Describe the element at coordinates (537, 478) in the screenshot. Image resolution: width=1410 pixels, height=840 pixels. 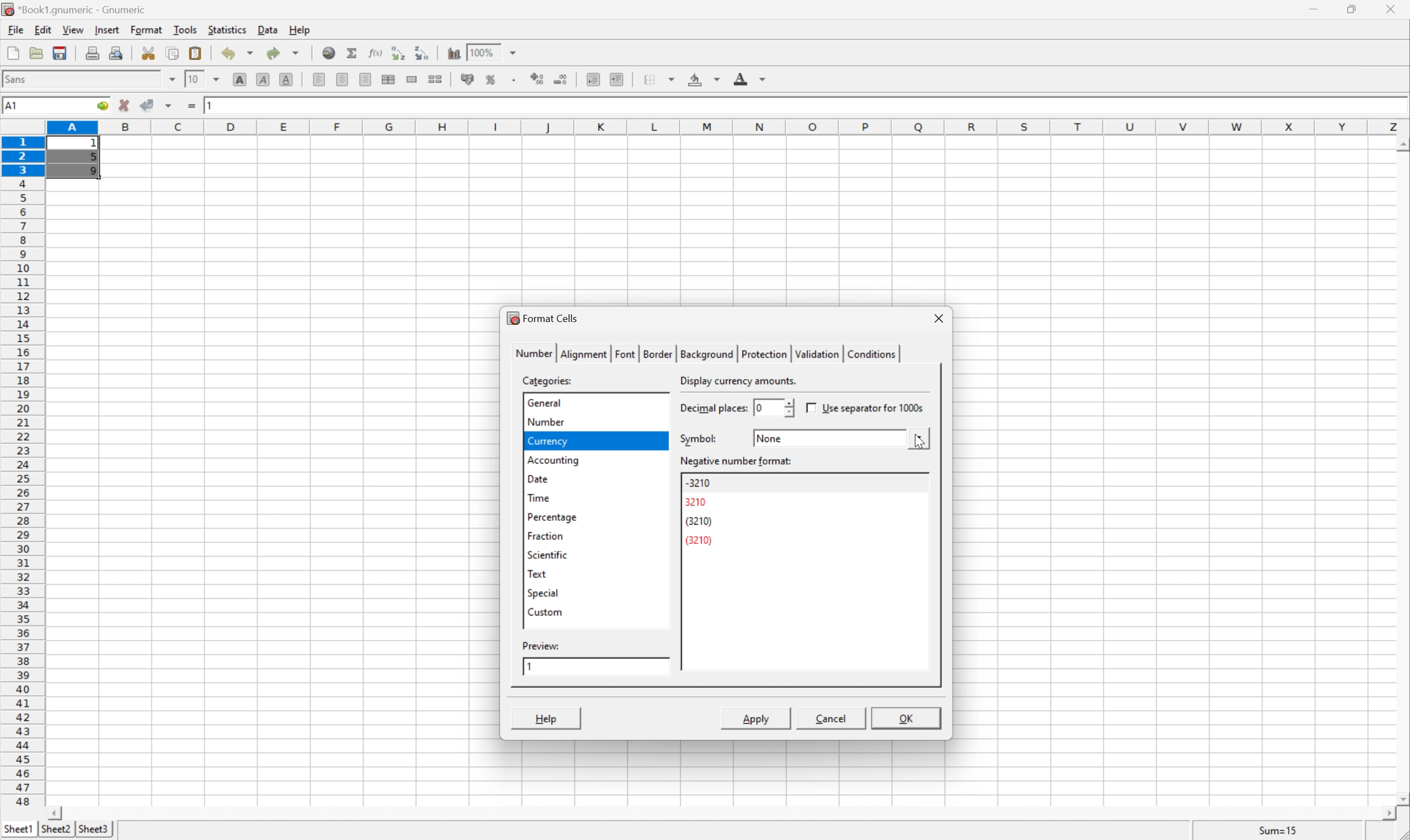
I see `date` at that location.